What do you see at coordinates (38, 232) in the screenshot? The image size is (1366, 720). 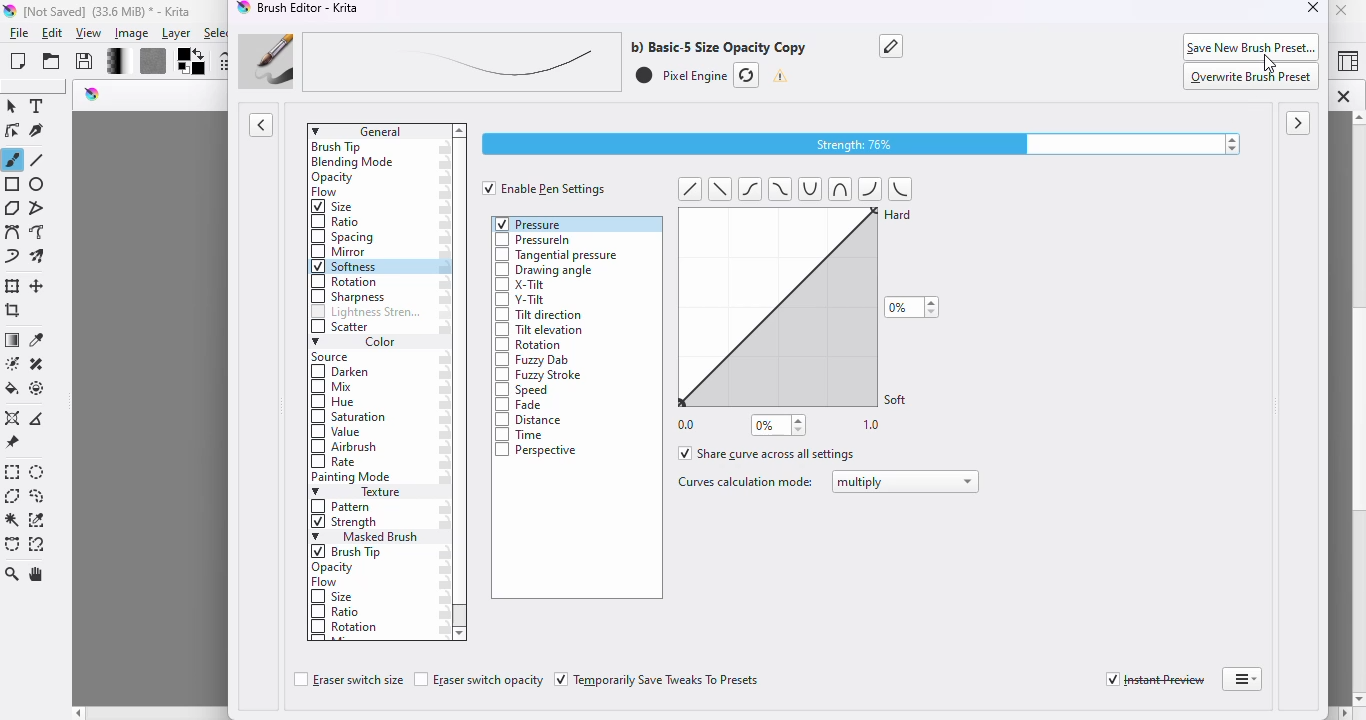 I see `freehand path tool` at bounding box center [38, 232].